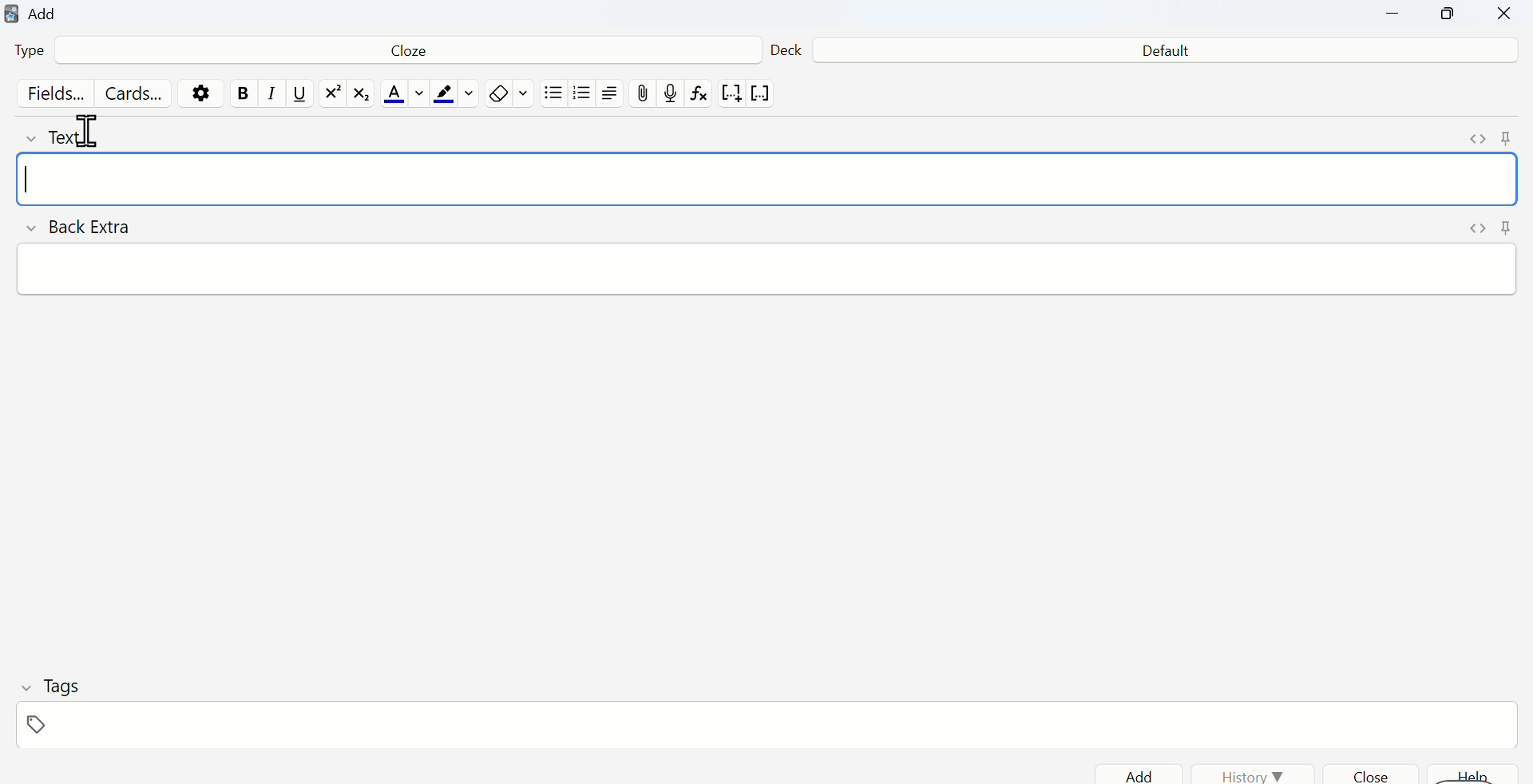 The width and height of the screenshot is (1533, 784). What do you see at coordinates (801, 179) in the screenshot?
I see `Input field` at bounding box center [801, 179].